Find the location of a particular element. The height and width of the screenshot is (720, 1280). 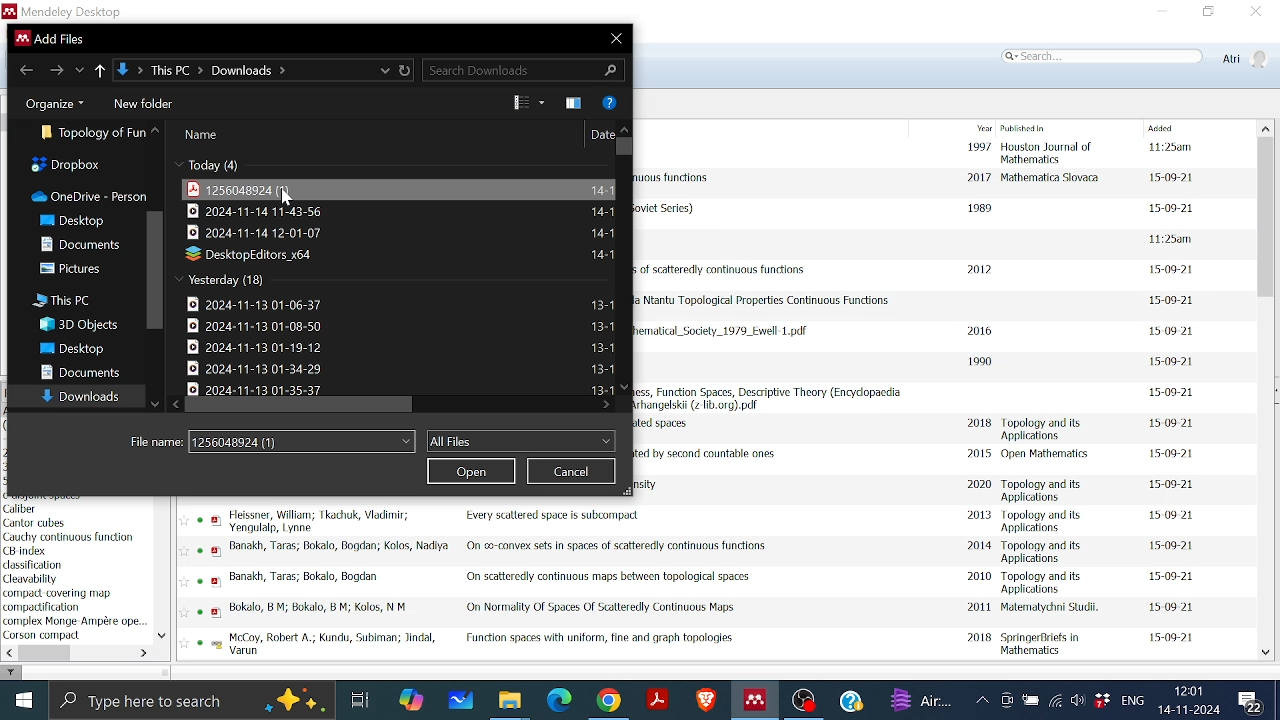

Desktop is located at coordinates (86, 347).